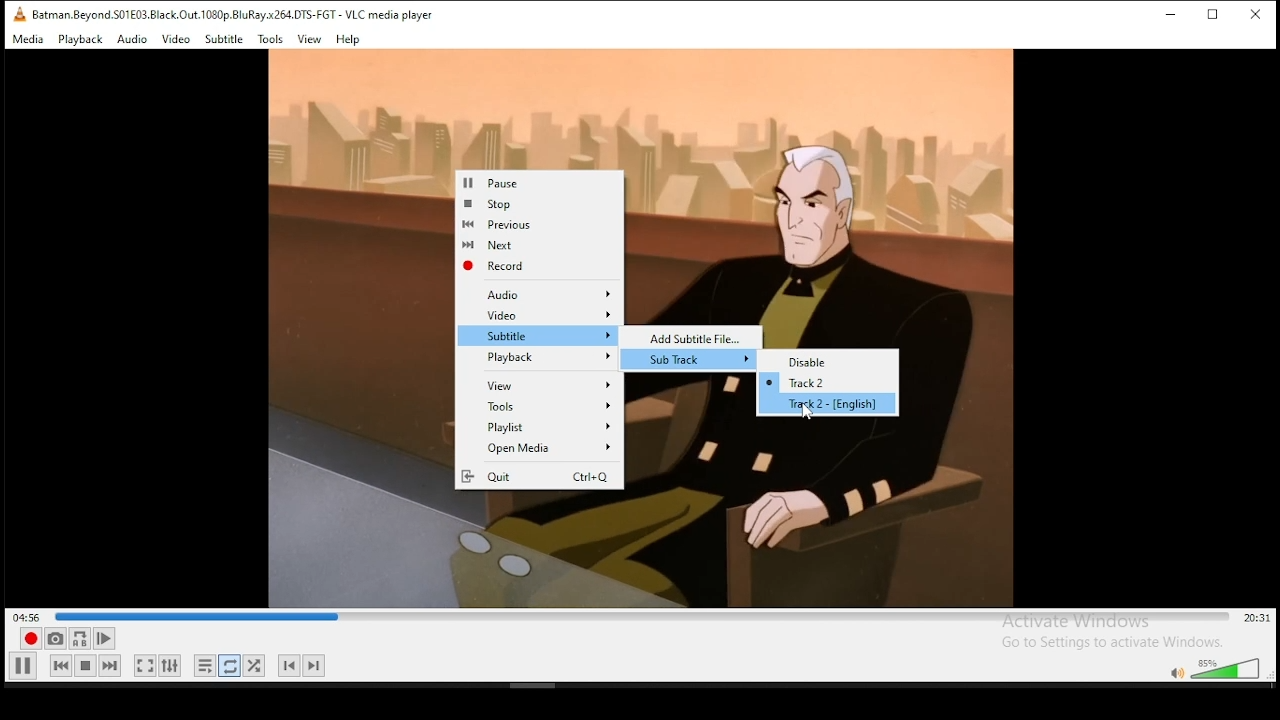 The image size is (1280, 720). Describe the element at coordinates (539, 205) in the screenshot. I see `Stop` at that location.